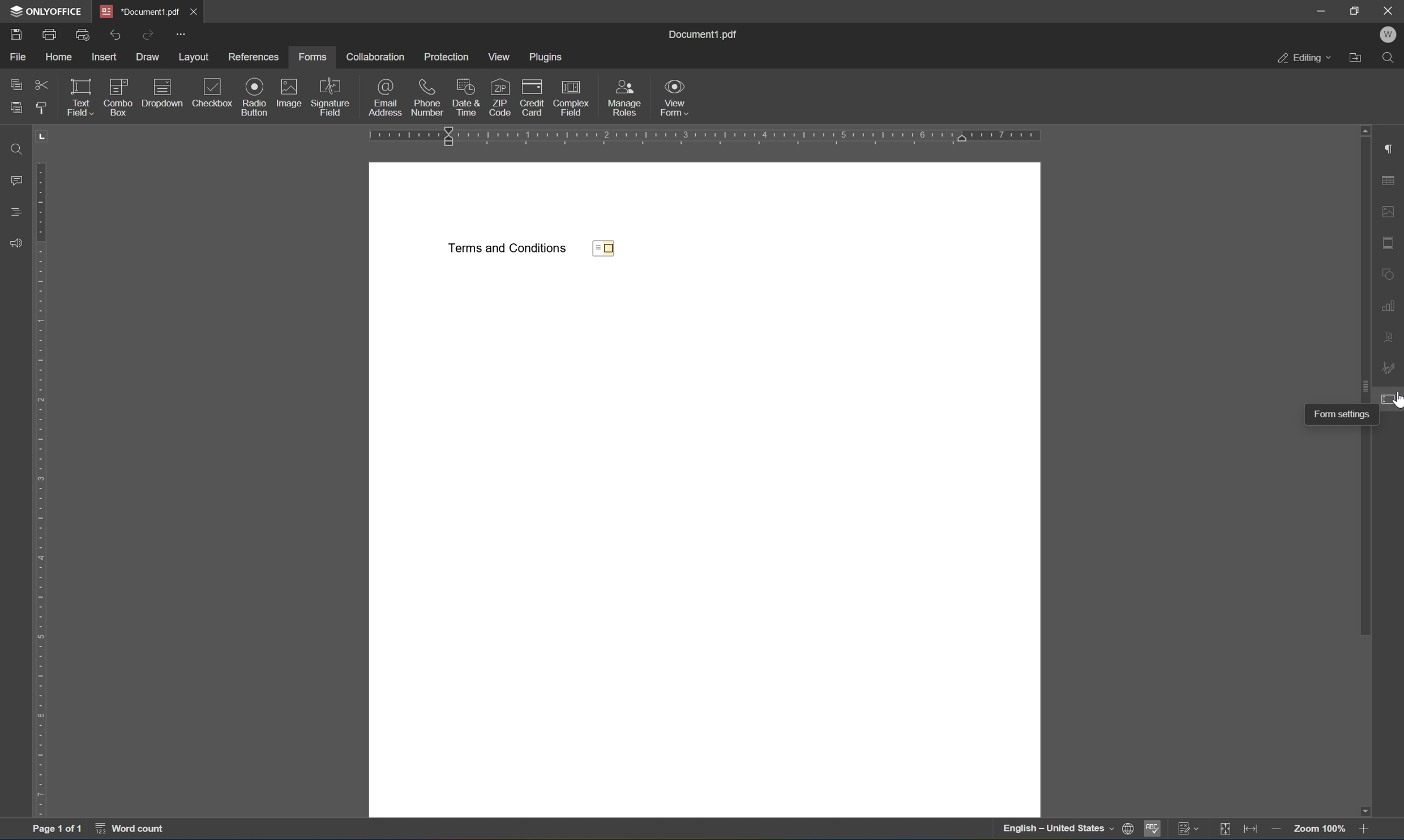 The width and height of the screenshot is (1404, 840). I want to click on credit card, so click(529, 96).